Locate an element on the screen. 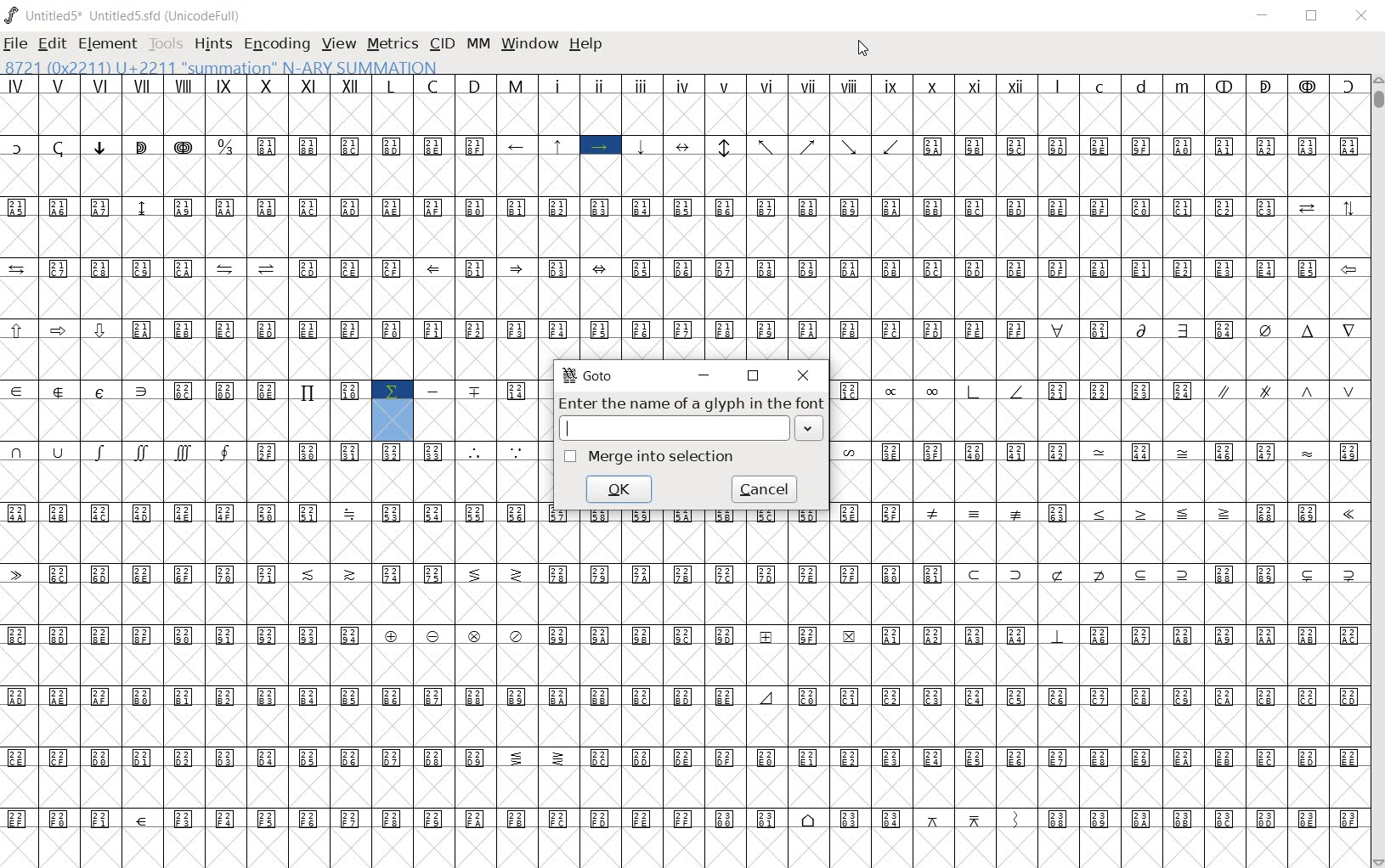  special symbols is located at coordinates (1288, 82).